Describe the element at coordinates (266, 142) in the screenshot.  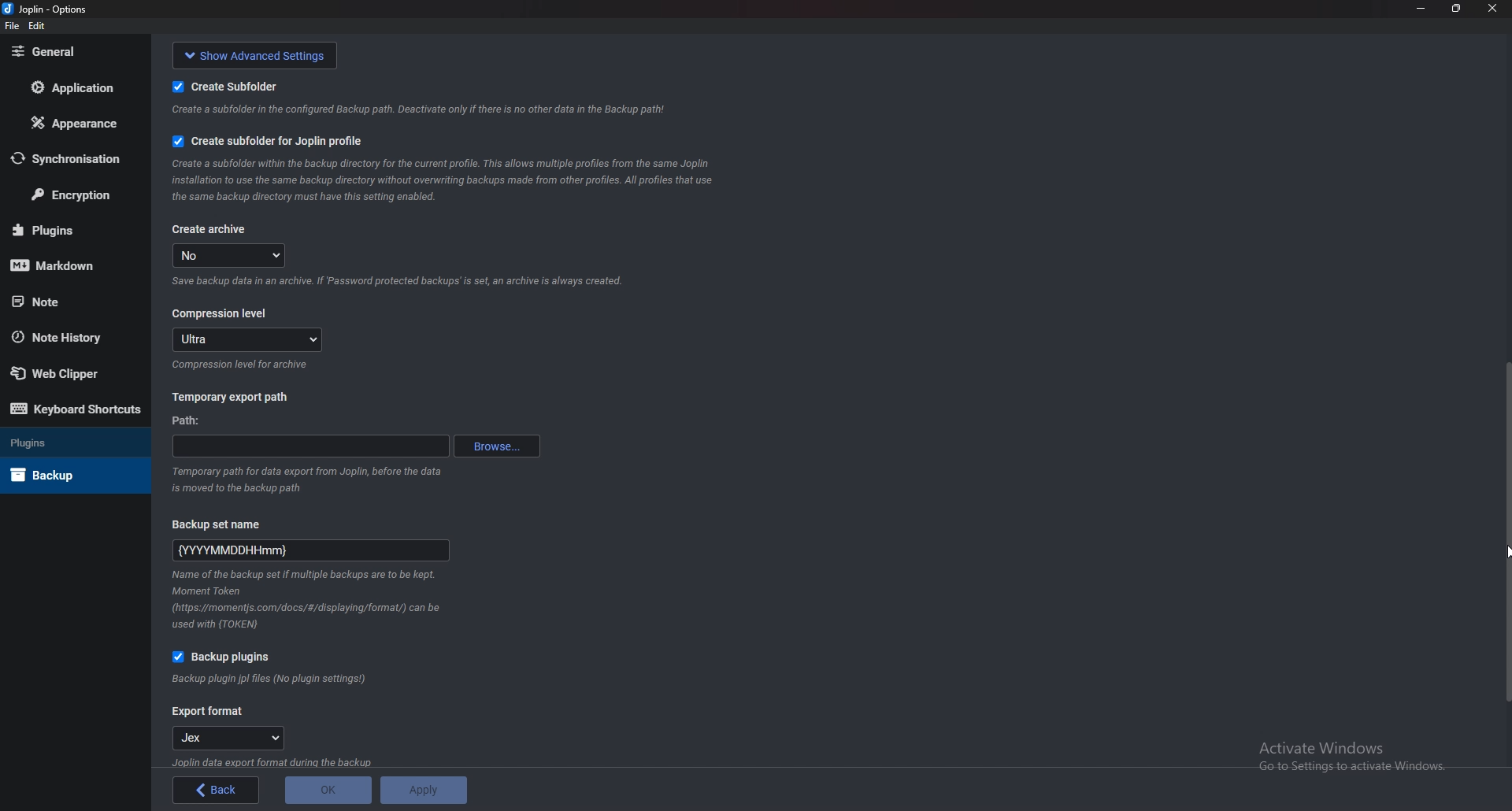
I see `create subfolder for Joplin profile` at that location.